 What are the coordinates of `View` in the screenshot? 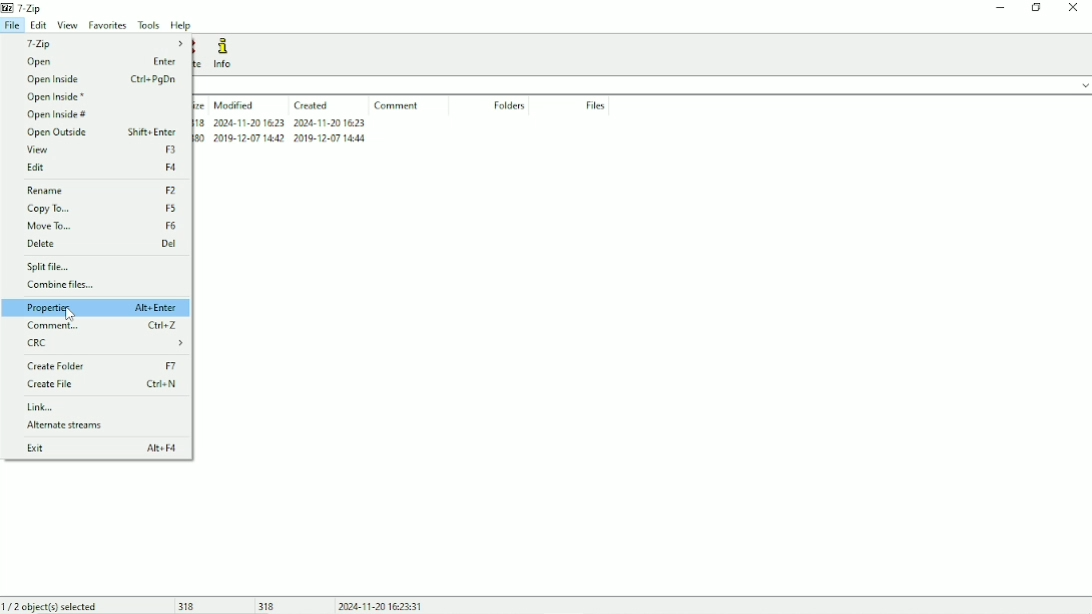 It's located at (103, 149).